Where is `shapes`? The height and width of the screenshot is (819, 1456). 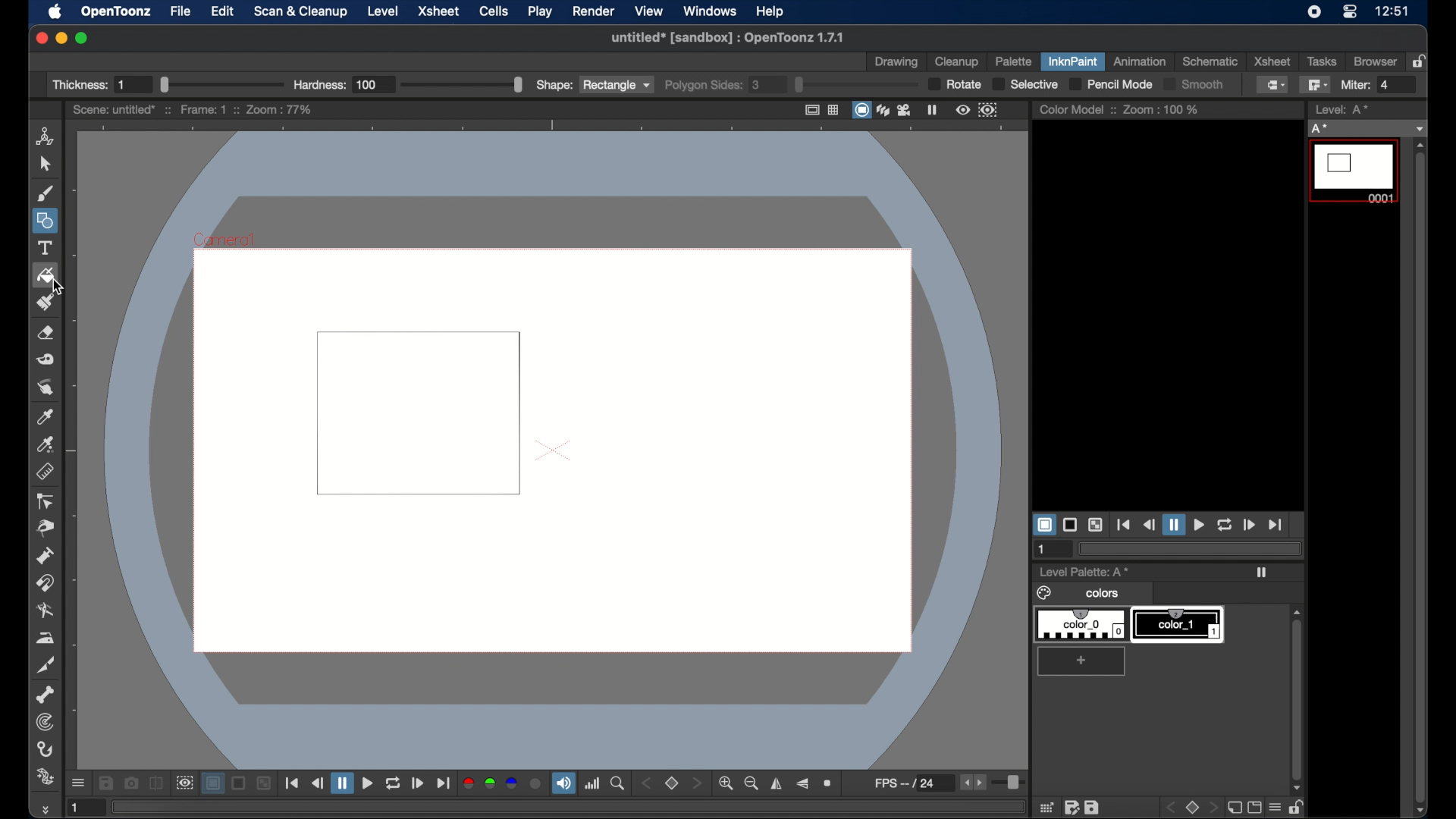
shapes is located at coordinates (46, 221).